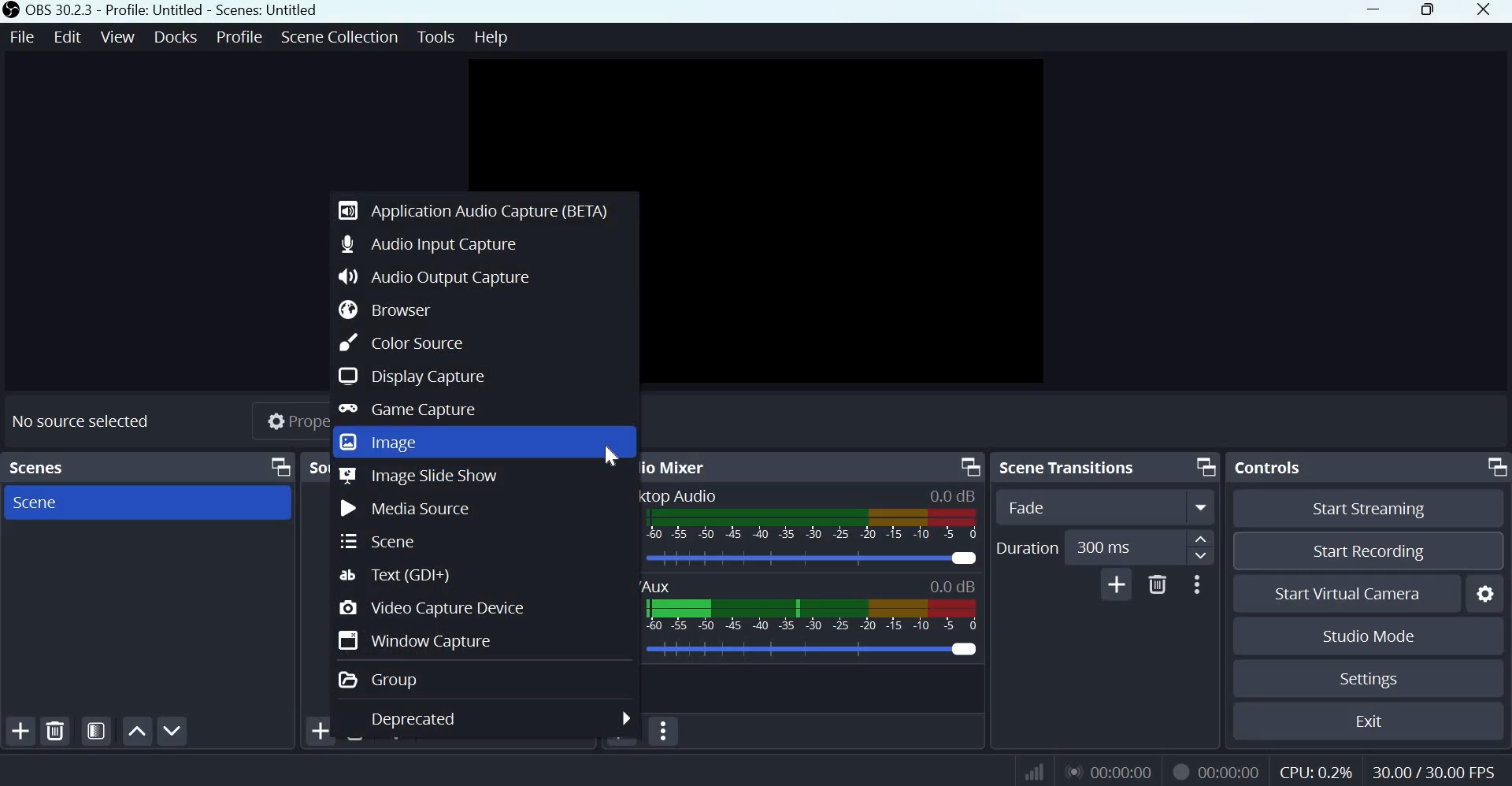 Image resolution: width=1512 pixels, height=786 pixels. Describe the element at coordinates (437, 36) in the screenshot. I see `tools` at that location.